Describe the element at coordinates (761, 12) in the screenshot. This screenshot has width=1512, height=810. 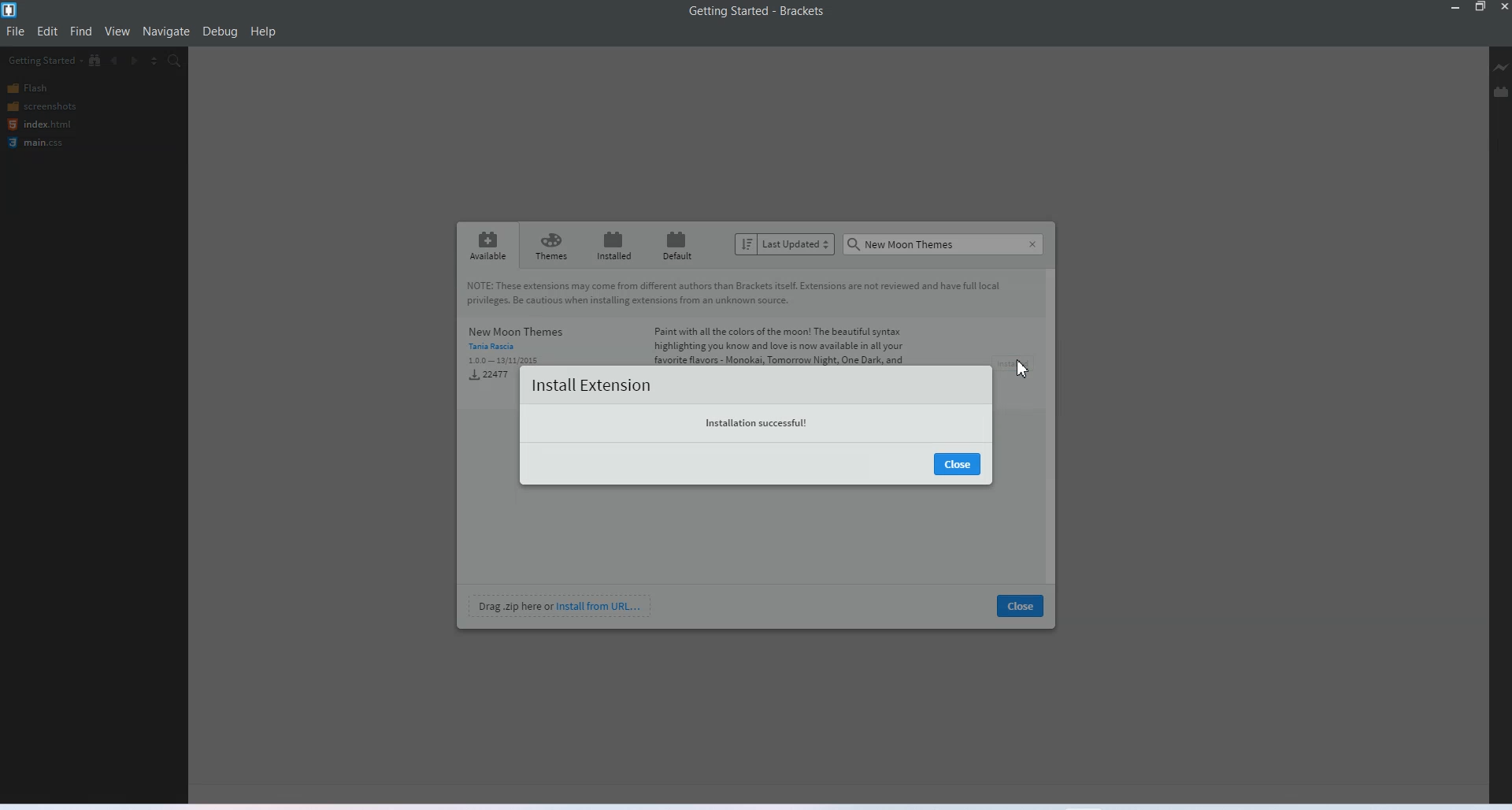
I see `Getting Started - Brackets` at that location.